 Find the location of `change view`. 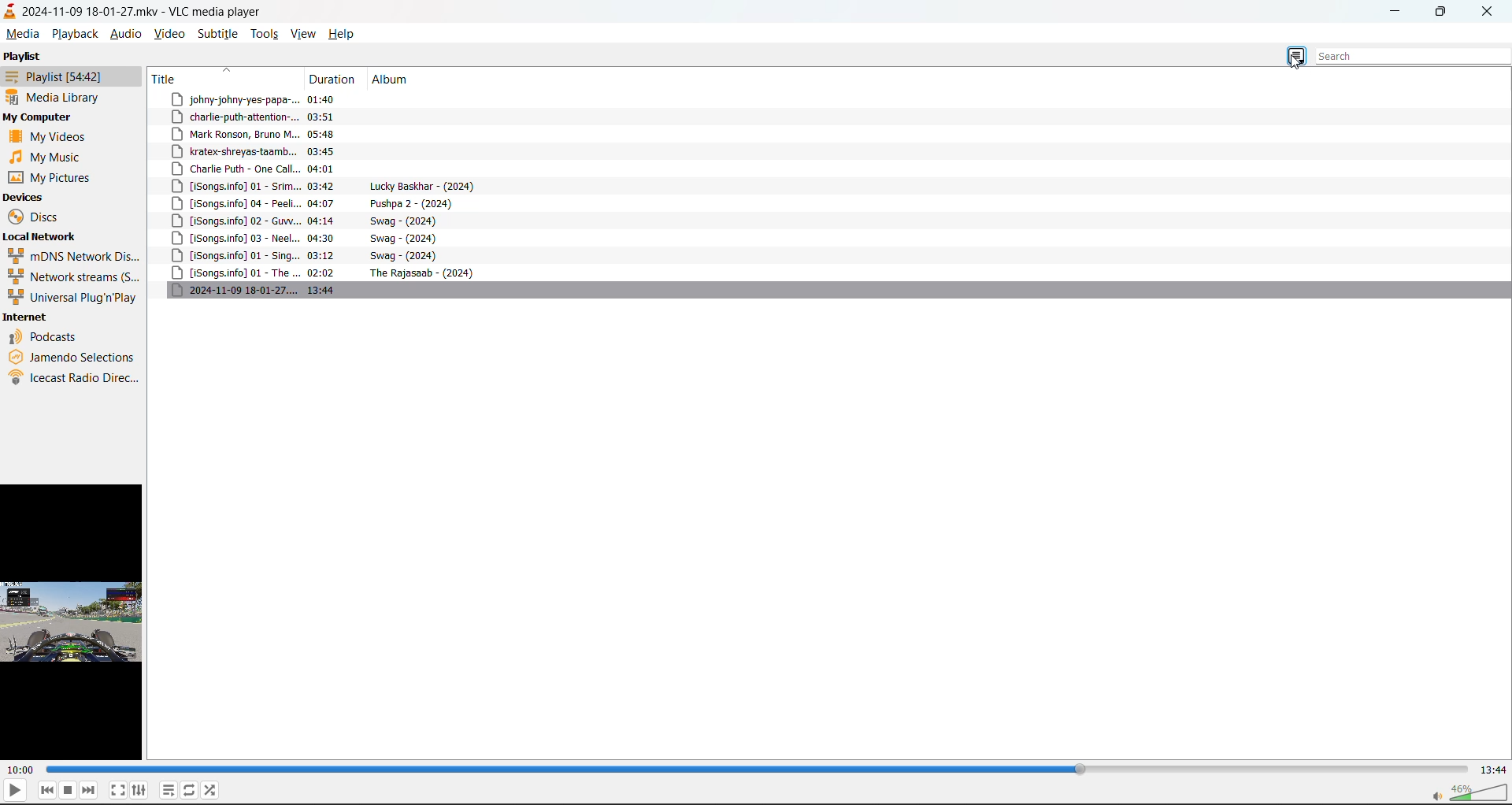

change view is located at coordinates (1298, 54).